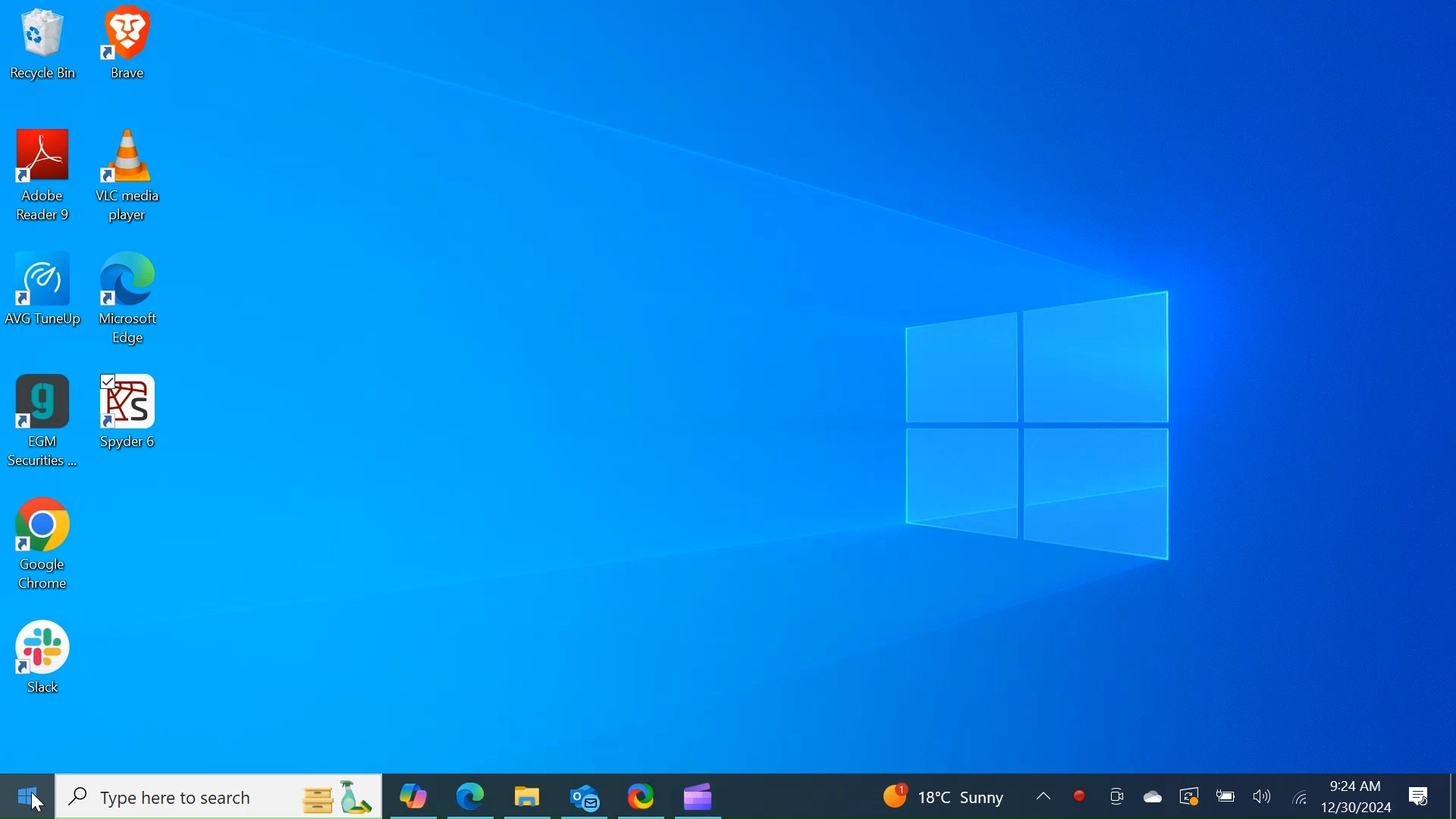 This screenshot has height=819, width=1456. I want to click on Slack Desktop Icon, so click(42, 658).